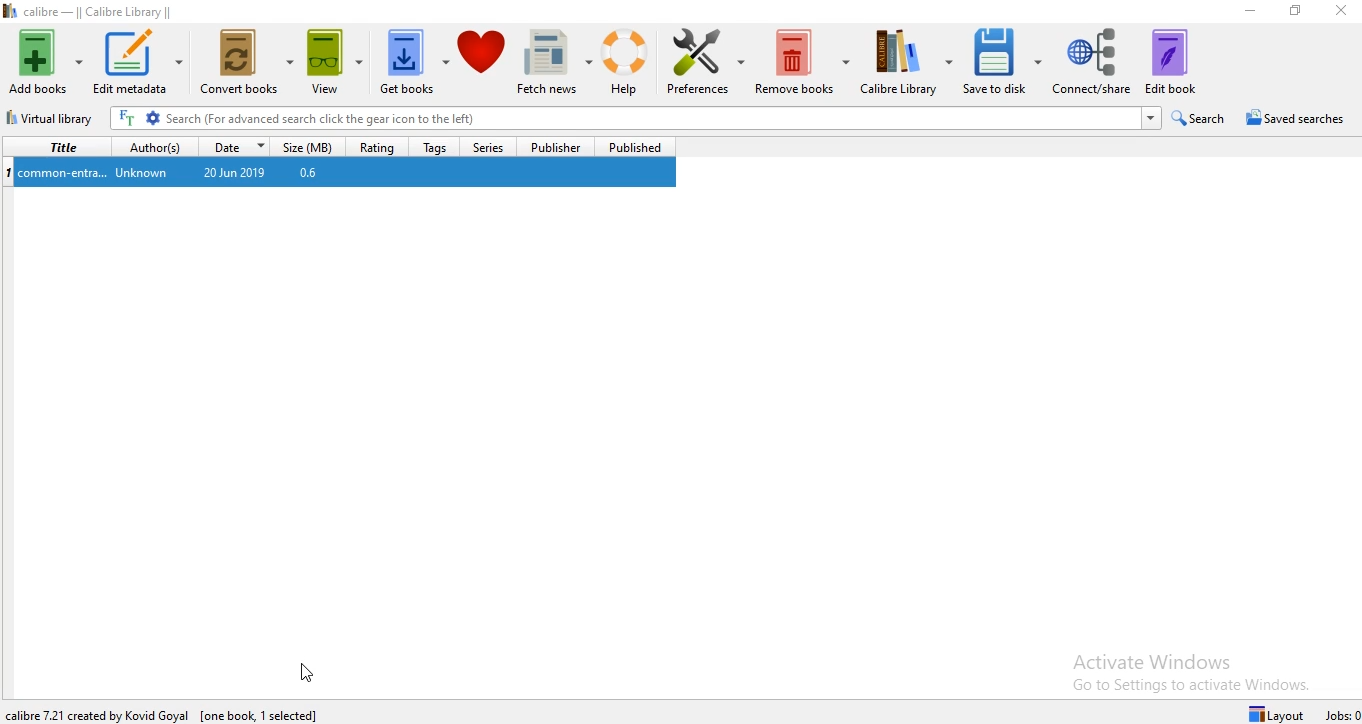 The height and width of the screenshot is (724, 1362). I want to click on Published, so click(633, 146).